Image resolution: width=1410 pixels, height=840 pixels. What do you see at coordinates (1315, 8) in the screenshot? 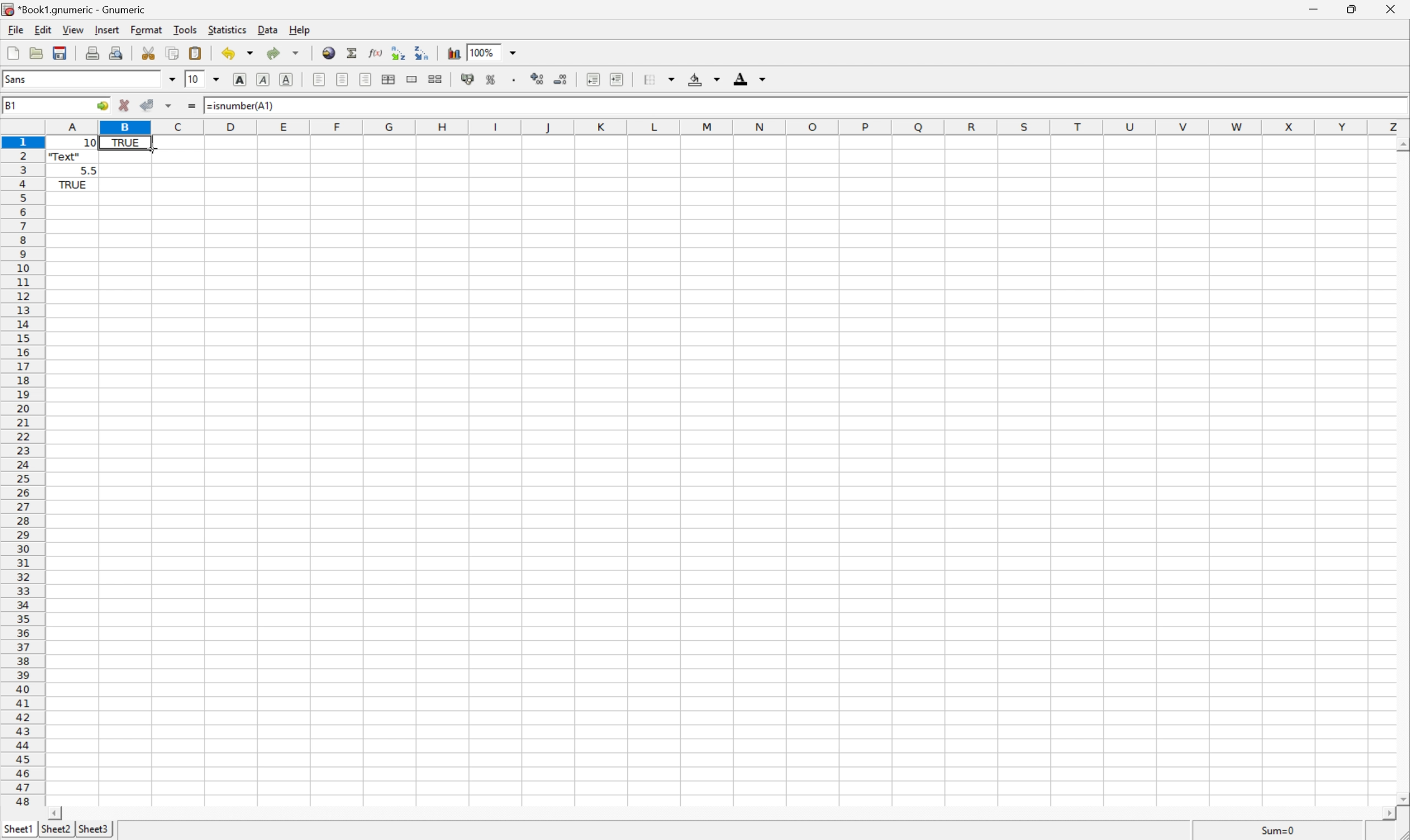
I see `Minimize` at bounding box center [1315, 8].